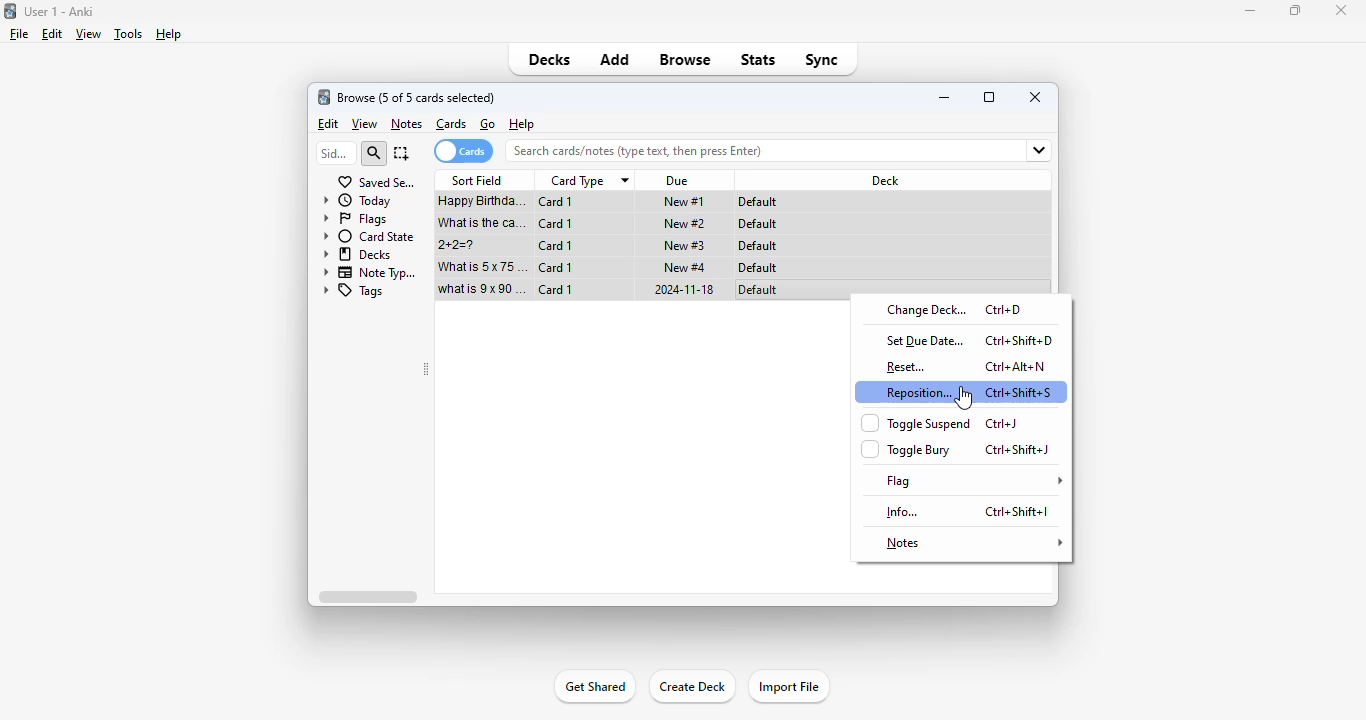  Describe the element at coordinates (406, 125) in the screenshot. I see `notes` at that location.